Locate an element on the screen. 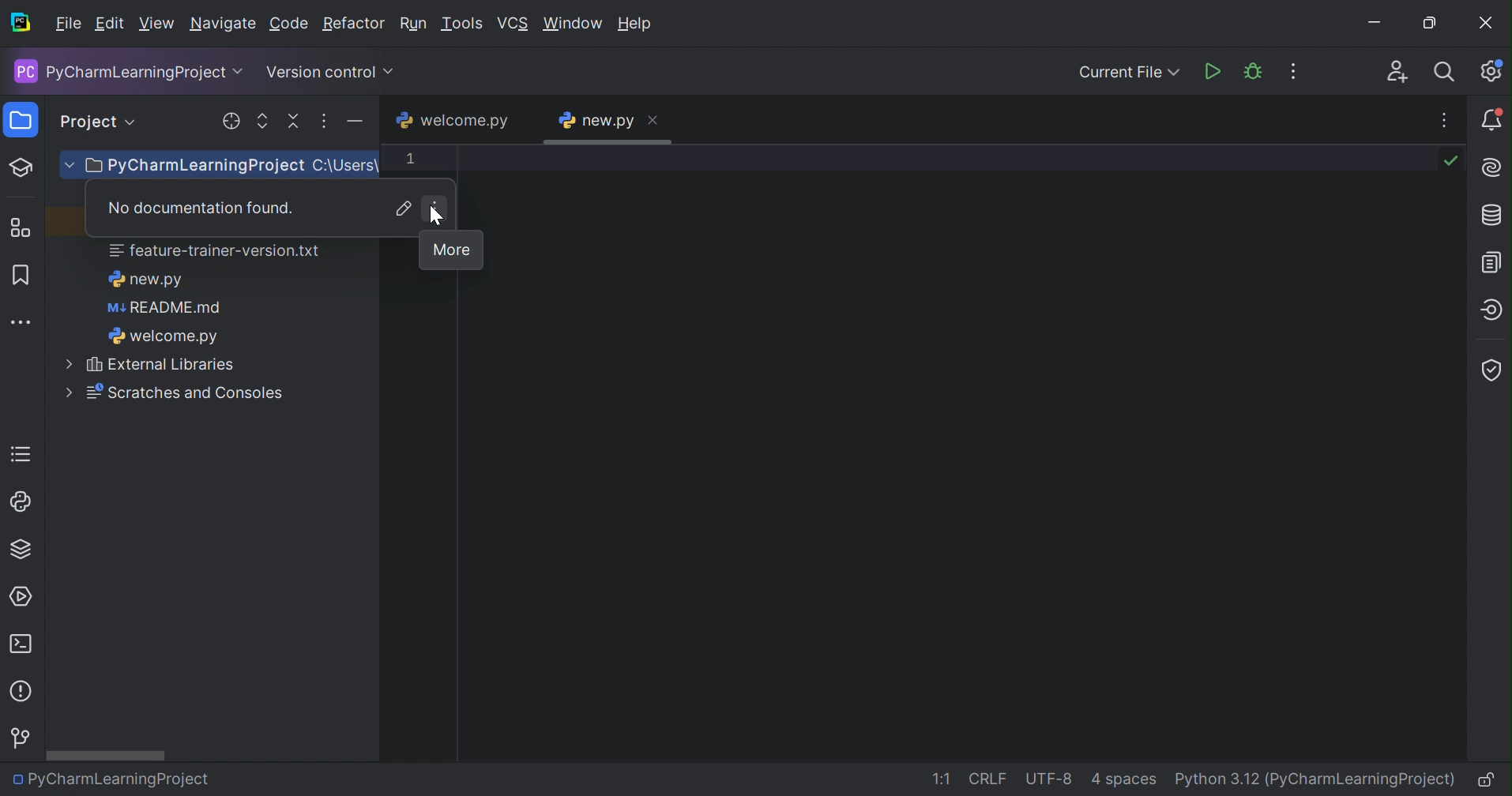 Image resolution: width=1512 pixels, height=796 pixels. Documentation is located at coordinates (1494, 261).